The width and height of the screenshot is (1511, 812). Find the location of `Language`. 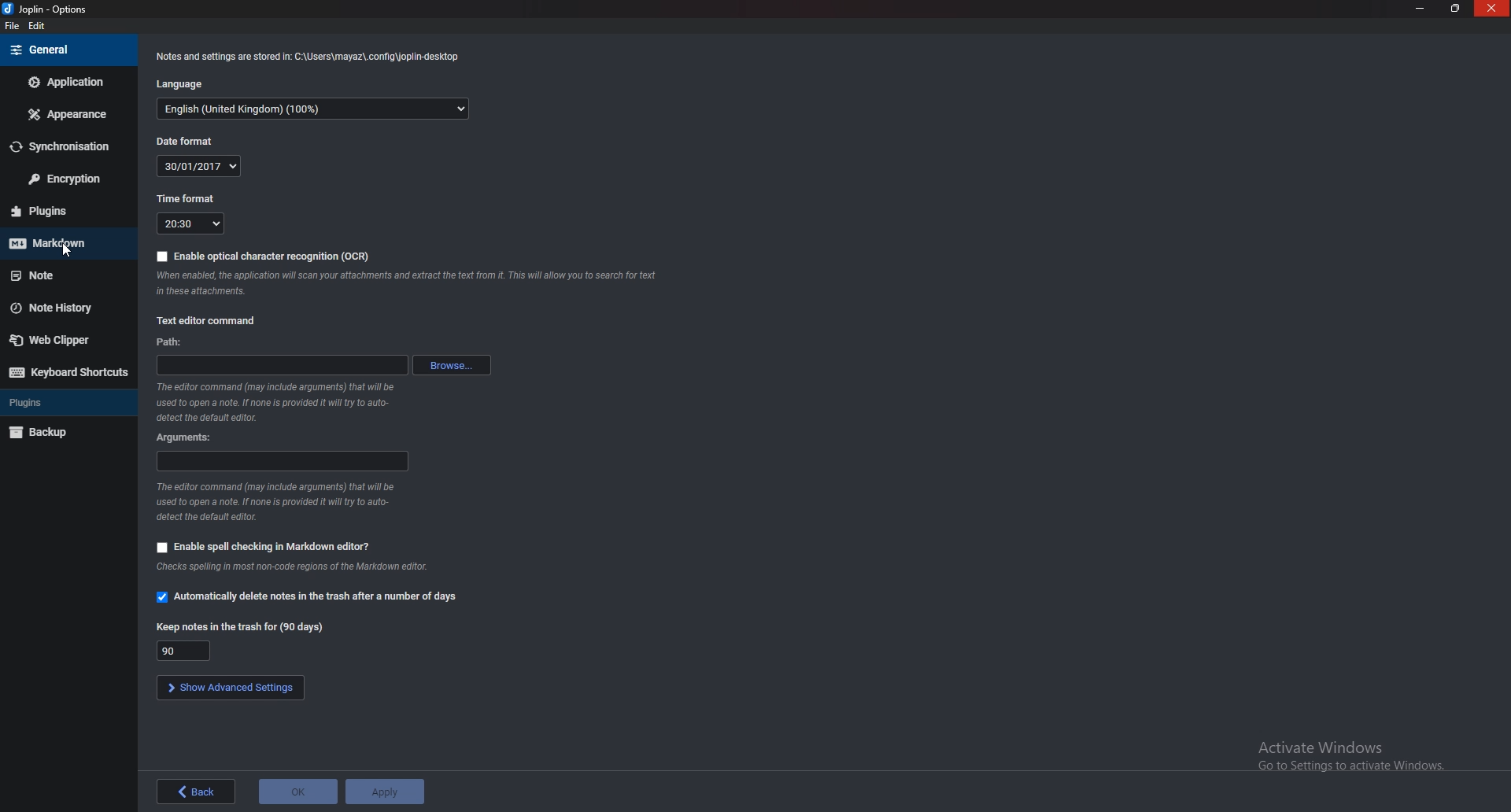

Language is located at coordinates (180, 86).